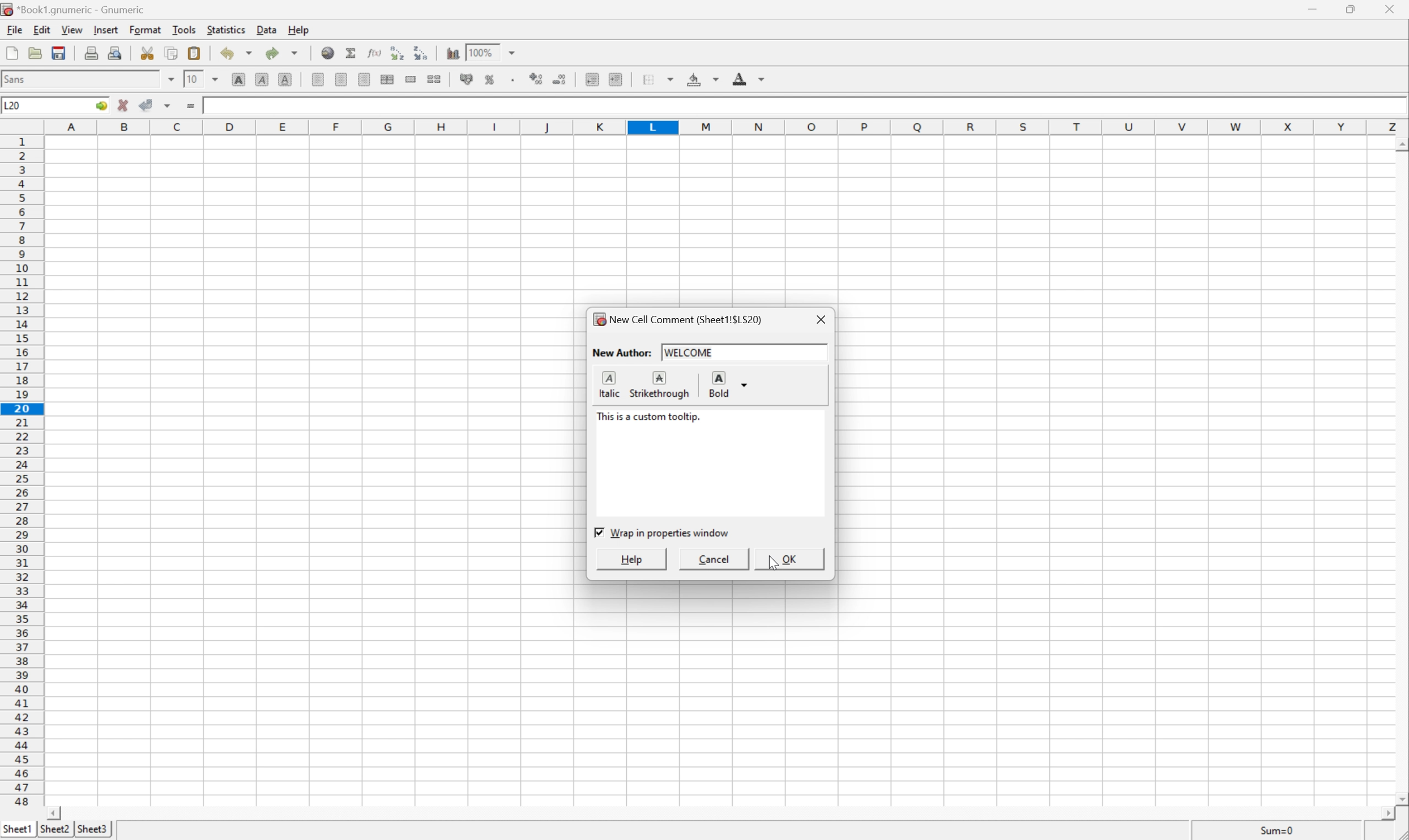 The height and width of the screenshot is (840, 1409). I want to click on Print preview, so click(114, 53).